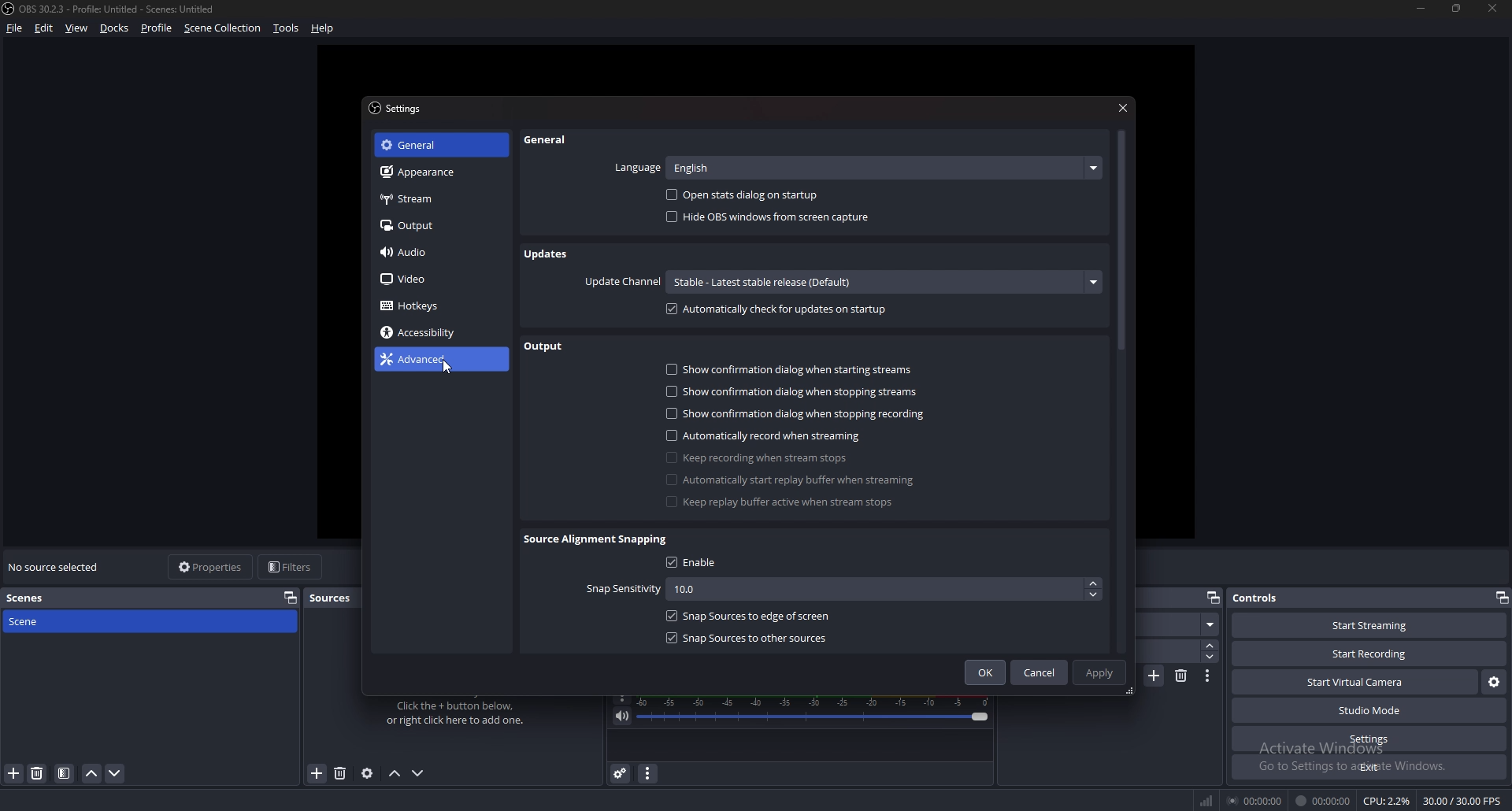  I want to click on Stream, so click(438, 198).